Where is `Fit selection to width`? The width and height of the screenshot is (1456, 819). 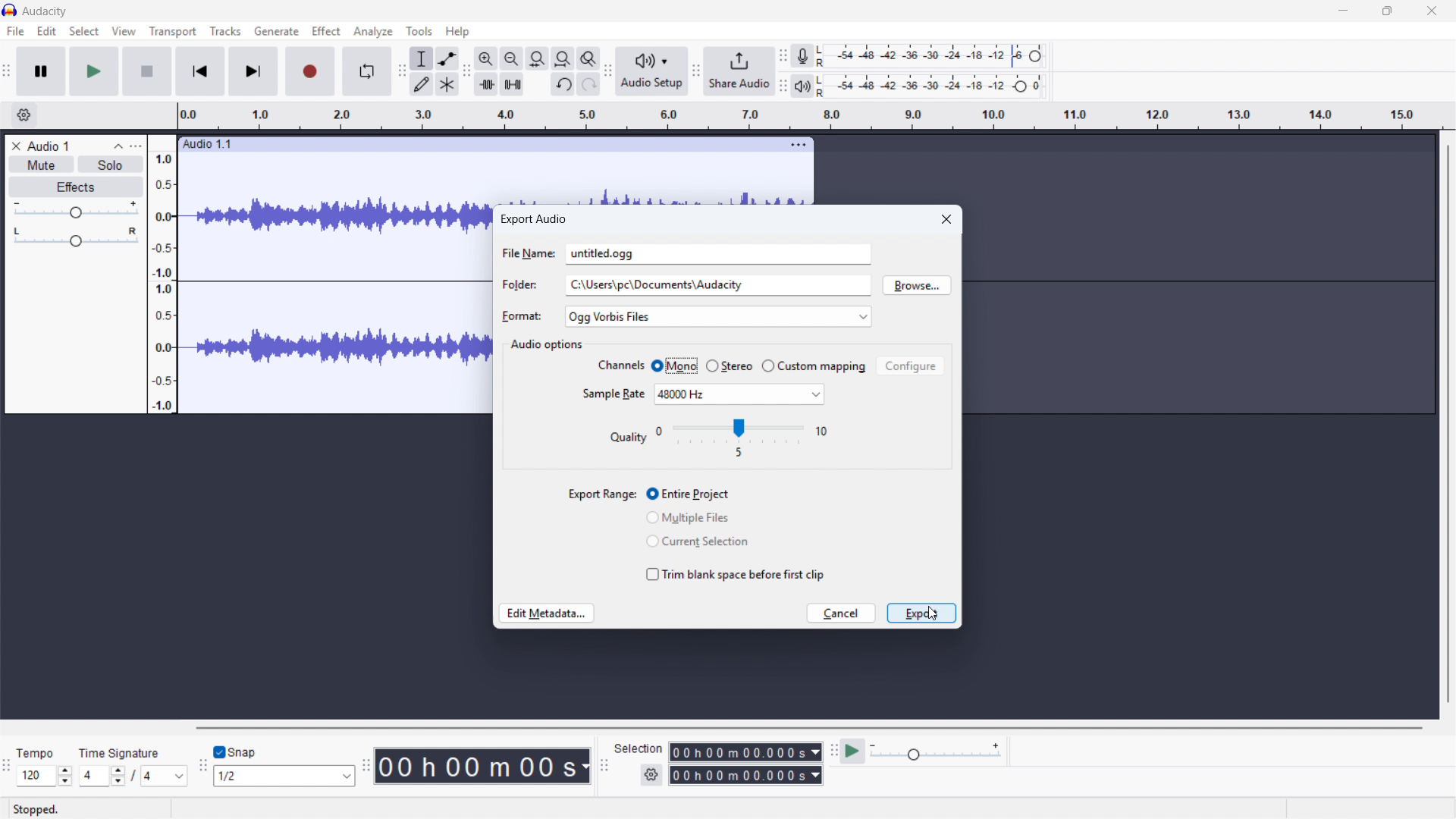 Fit selection to width is located at coordinates (538, 58).